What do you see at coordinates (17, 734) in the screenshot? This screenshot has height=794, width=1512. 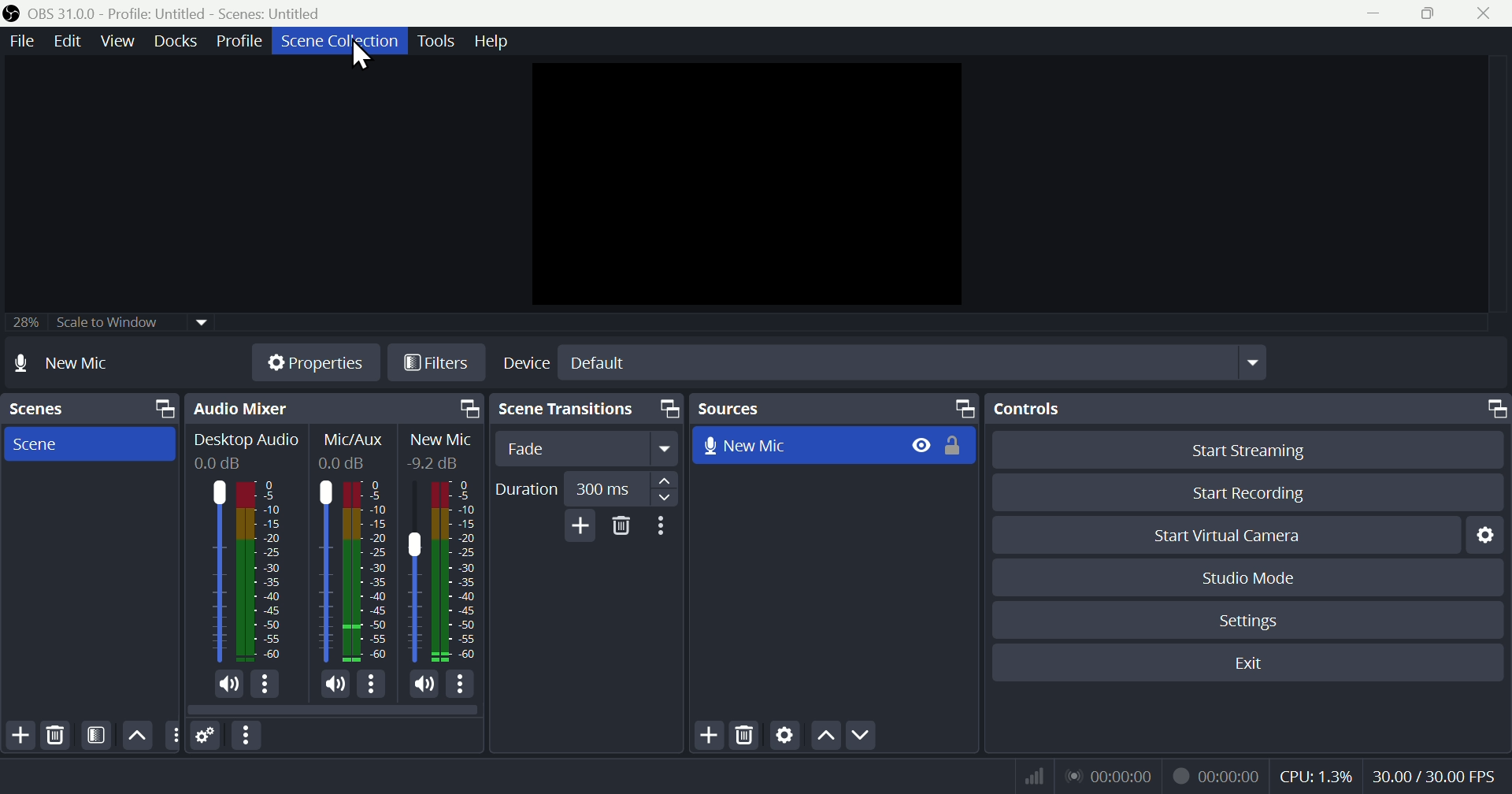 I see `Add` at bounding box center [17, 734].